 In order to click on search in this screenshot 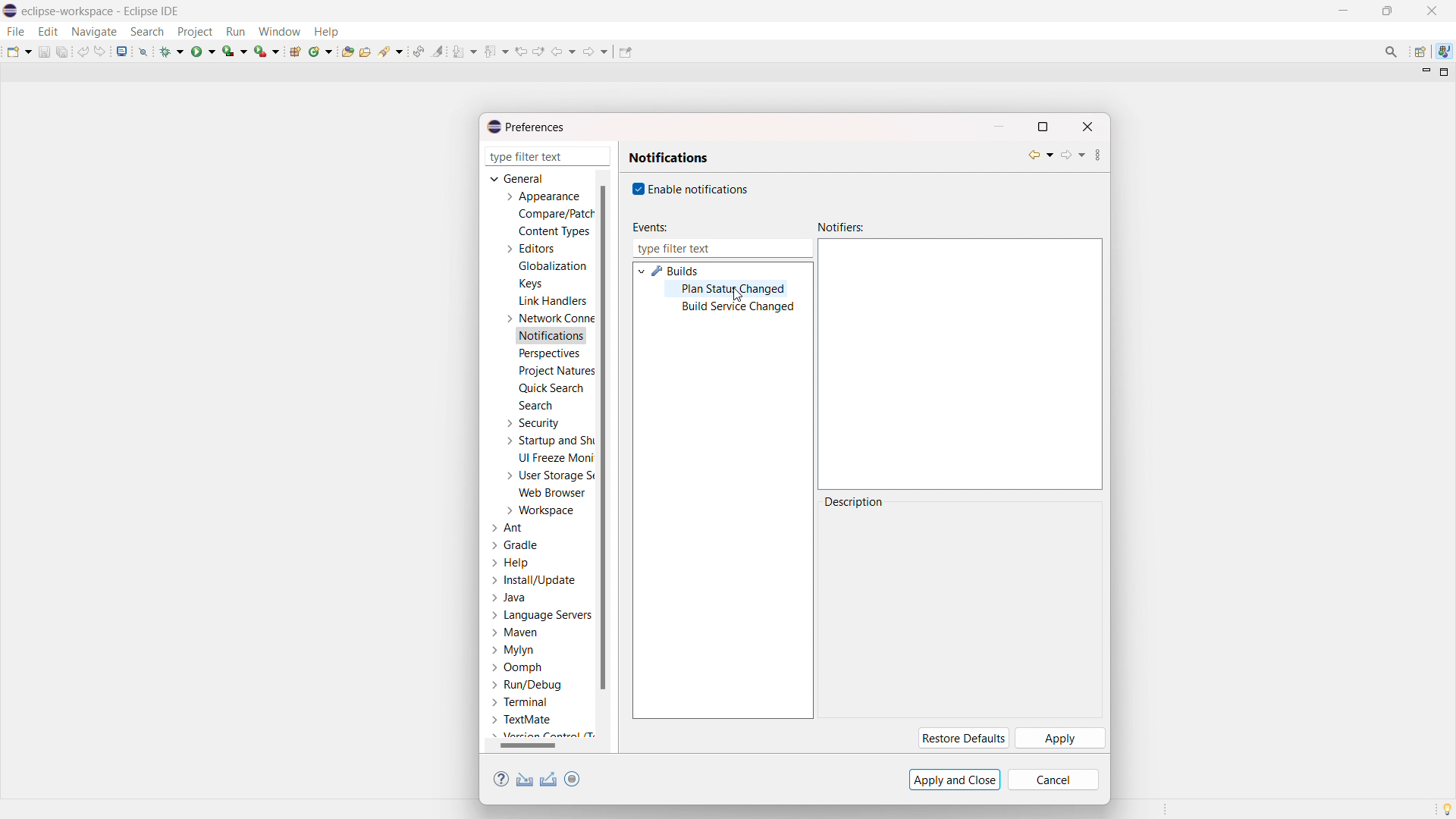, I will do `click(392, 50)`.